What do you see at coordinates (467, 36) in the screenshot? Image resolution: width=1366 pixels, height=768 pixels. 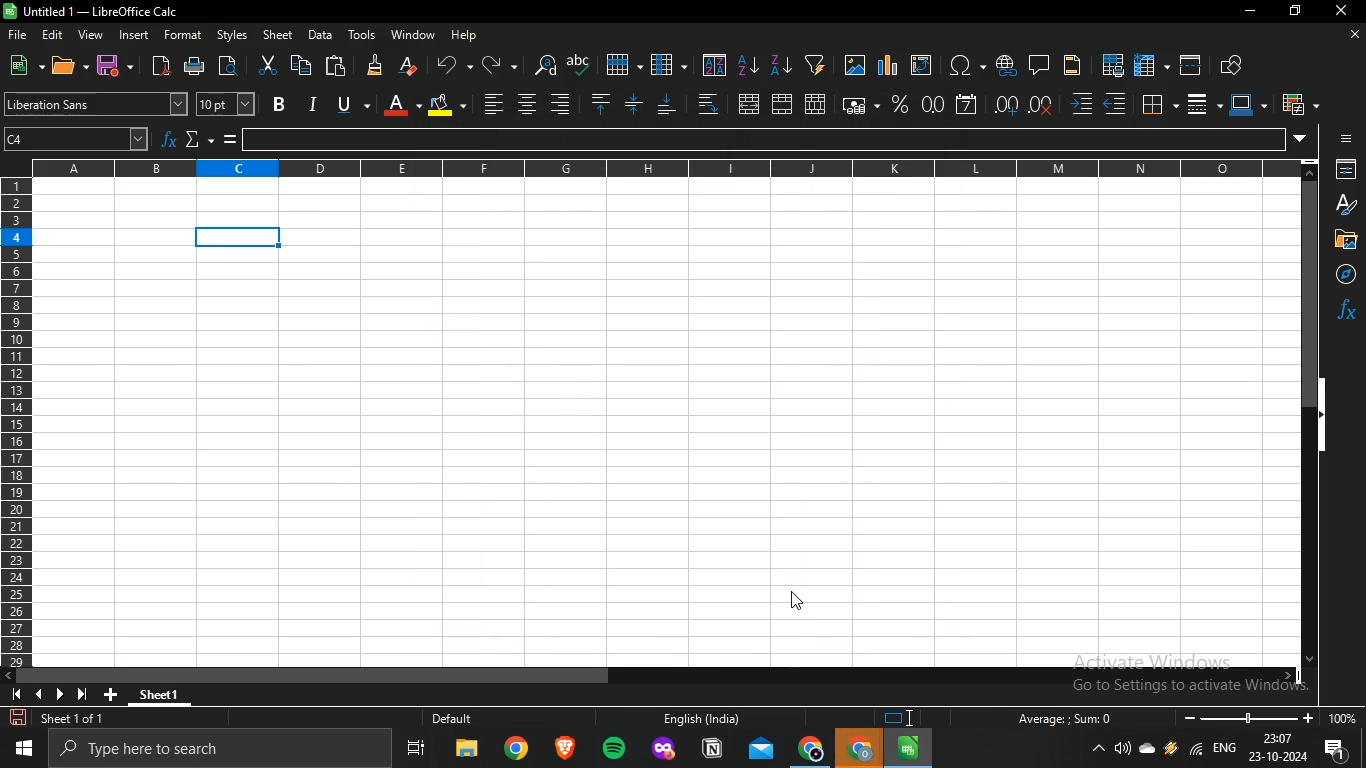 I see `help` at bounding box center [467, 36].